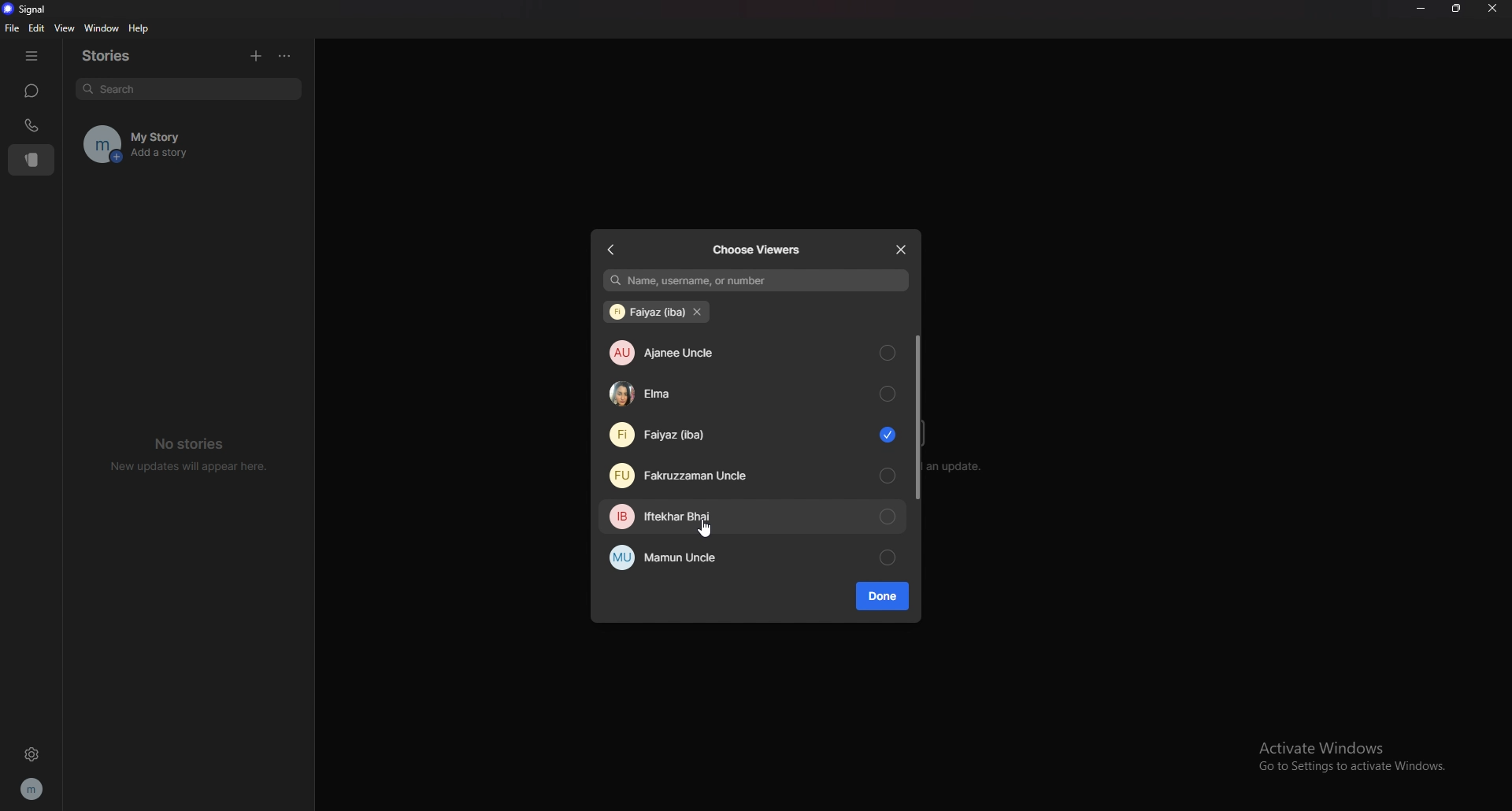 Image resolution: width=1512 pixels, height=811 pixels. What do you see at coordinates (695, 312) in the screenshot?
I see `remove` at bounding box center [695, 312].